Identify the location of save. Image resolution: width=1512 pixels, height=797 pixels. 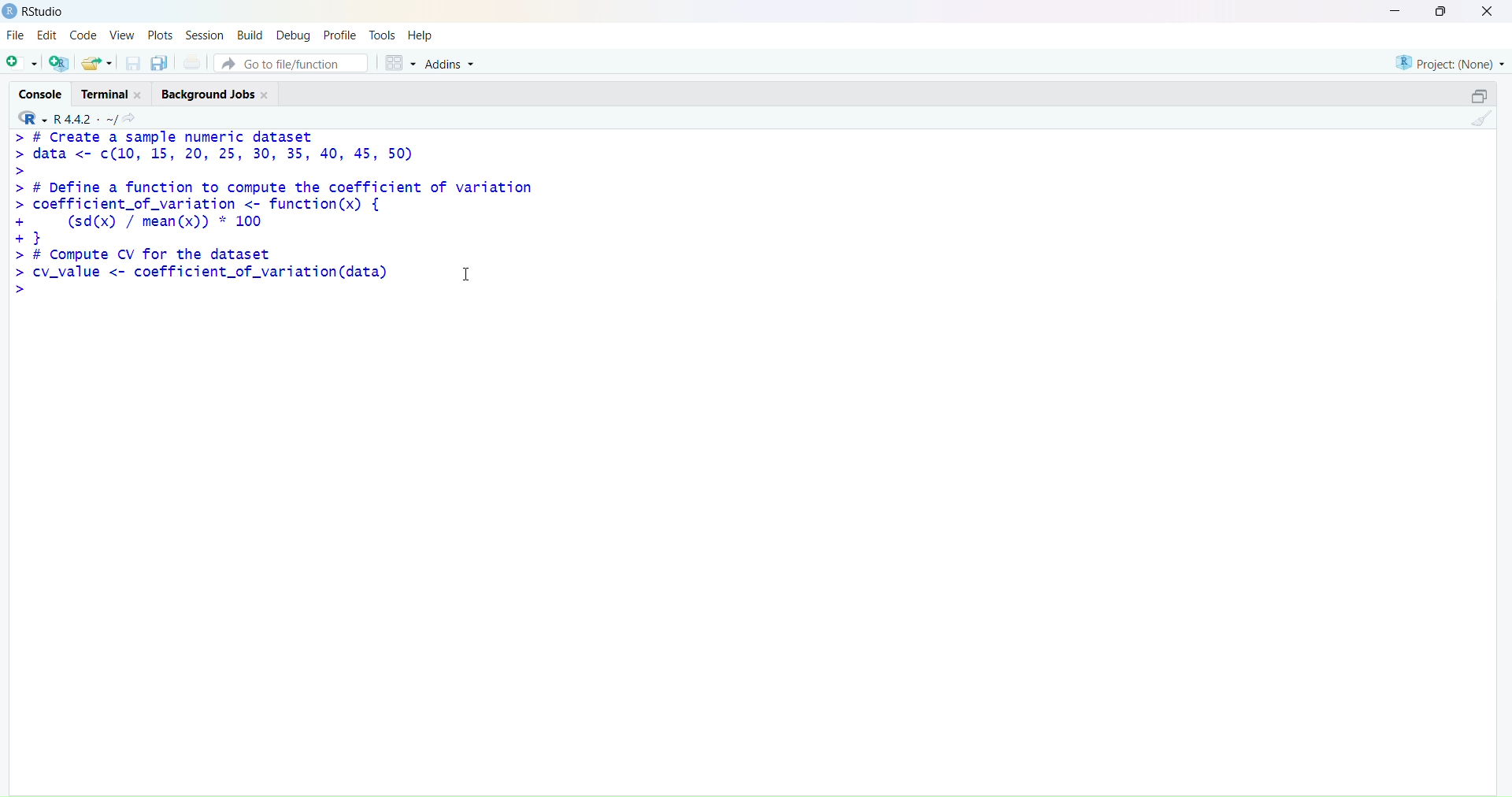
(134, 63).